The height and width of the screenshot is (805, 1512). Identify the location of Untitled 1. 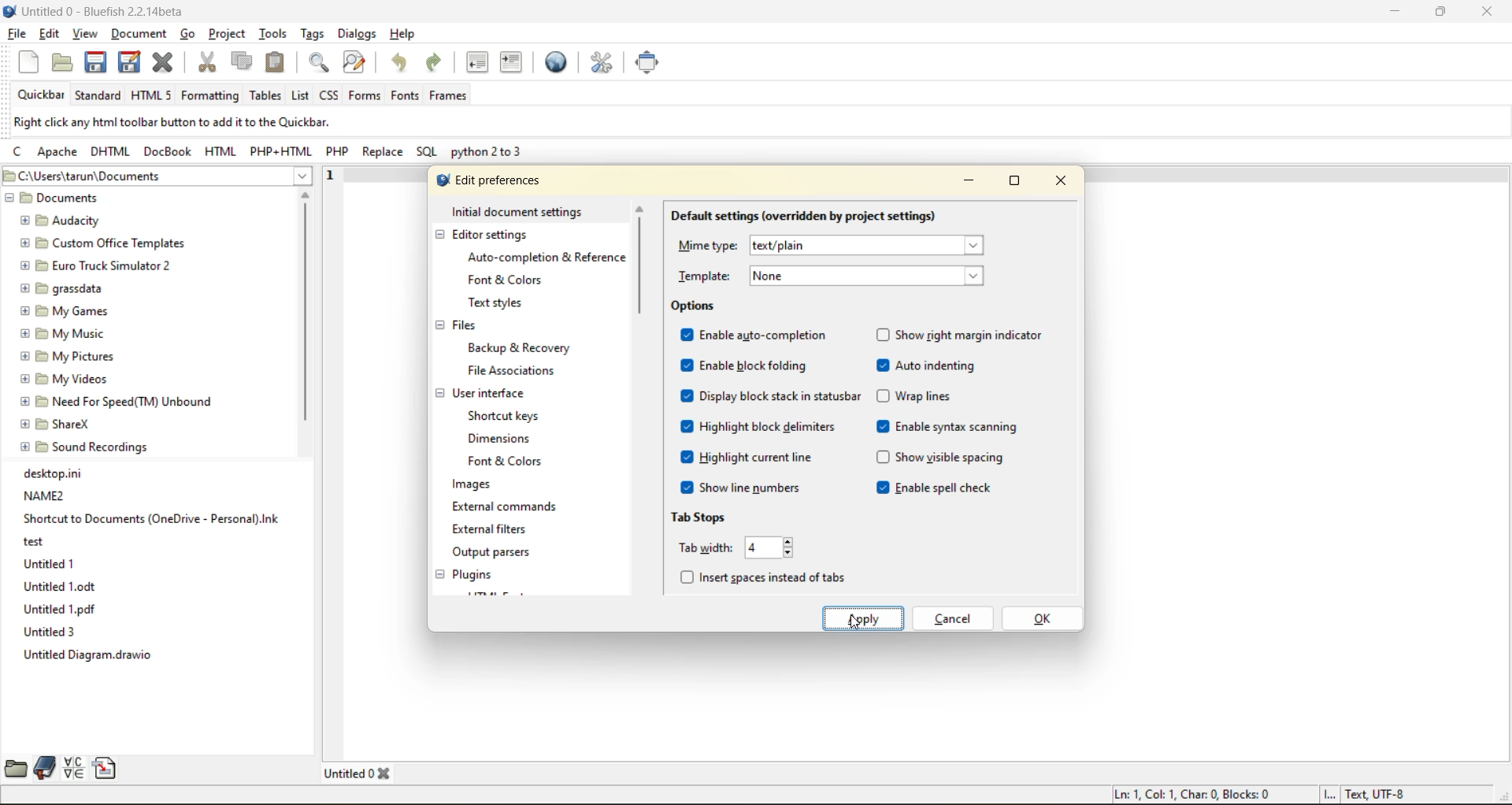
(48, 562).